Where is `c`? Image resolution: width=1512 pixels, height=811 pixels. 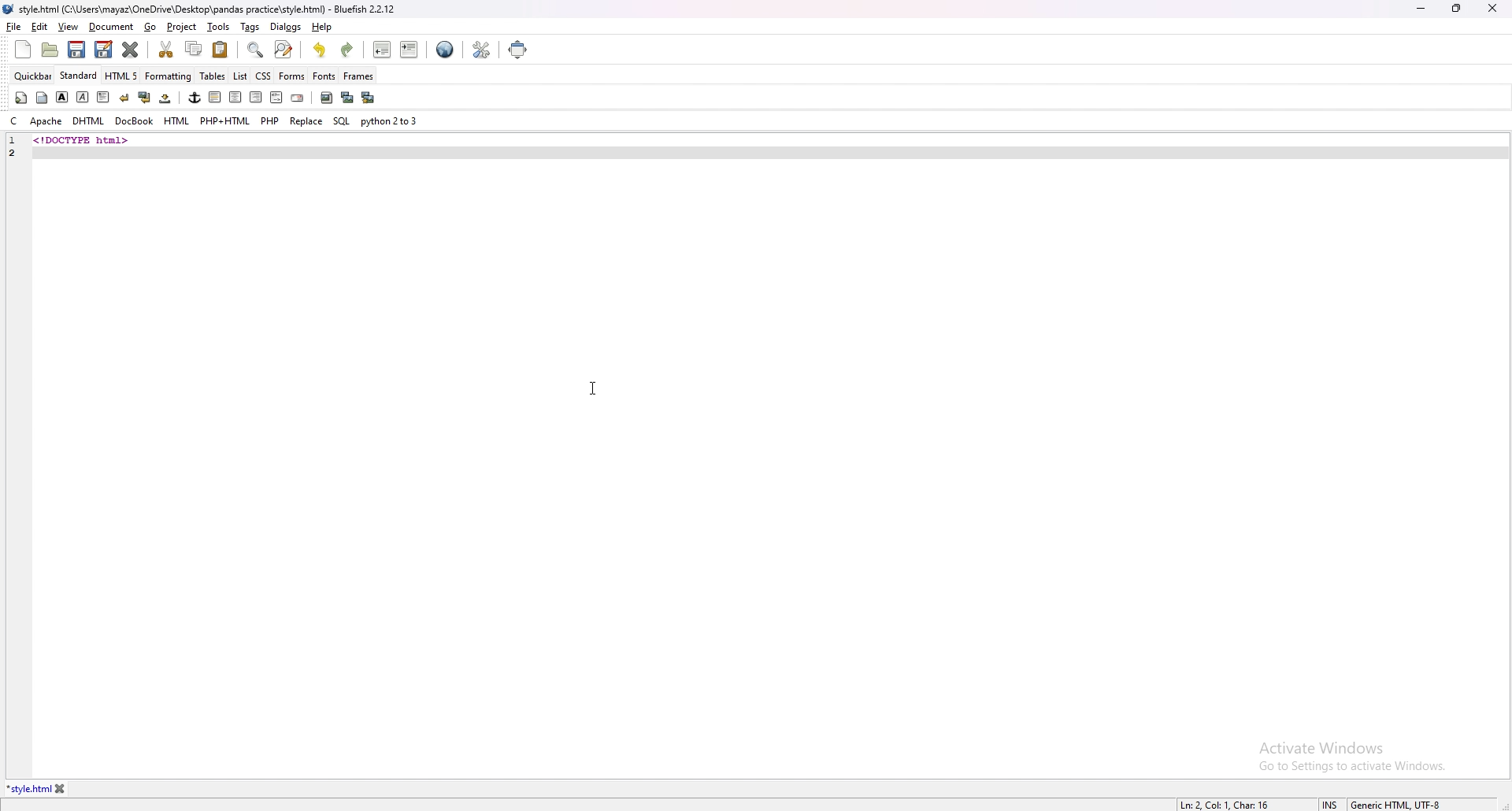 c is located at coordinates (13, 121).